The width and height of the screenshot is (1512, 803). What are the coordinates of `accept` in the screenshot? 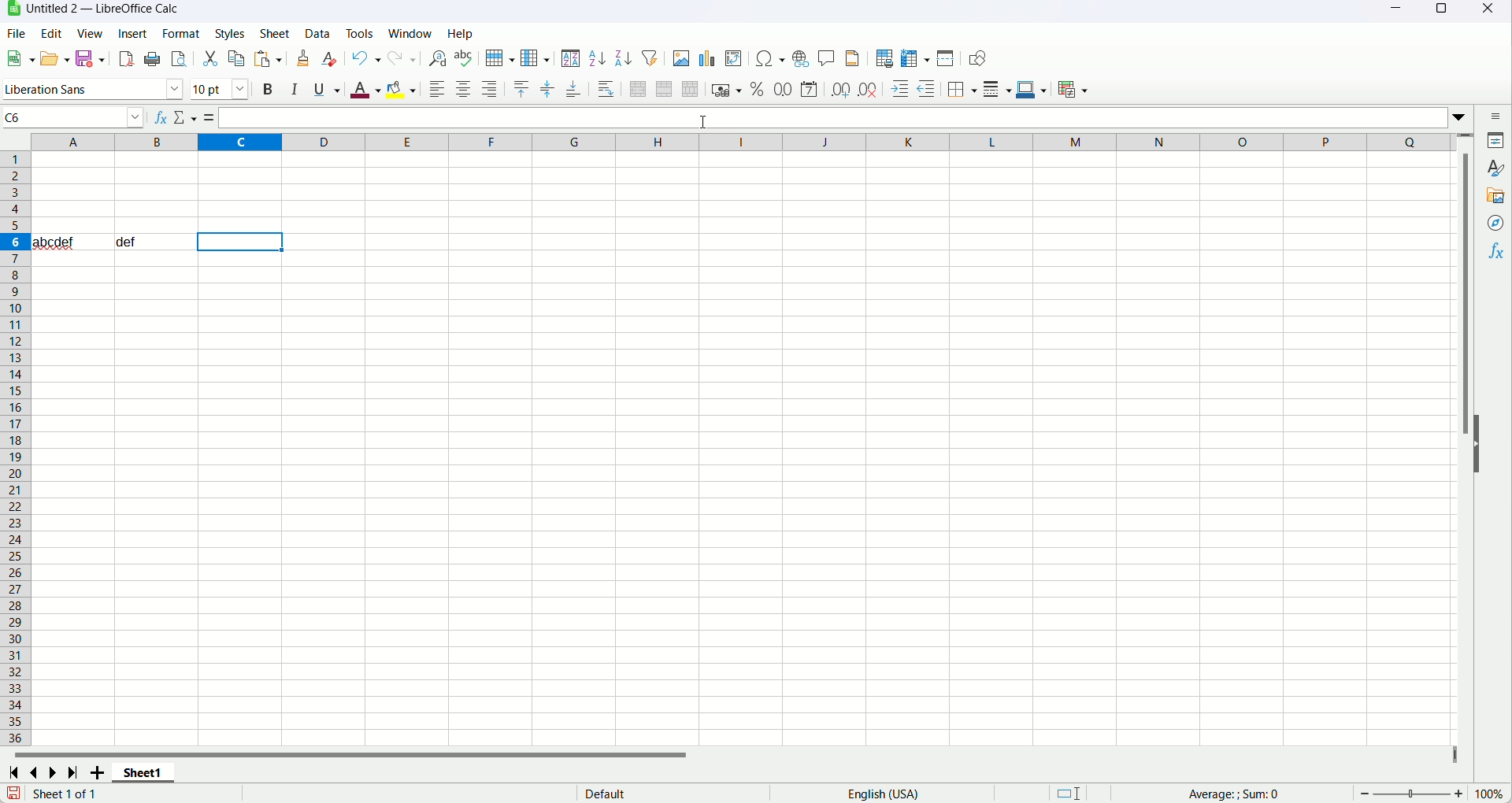 It's located at (203, 117).